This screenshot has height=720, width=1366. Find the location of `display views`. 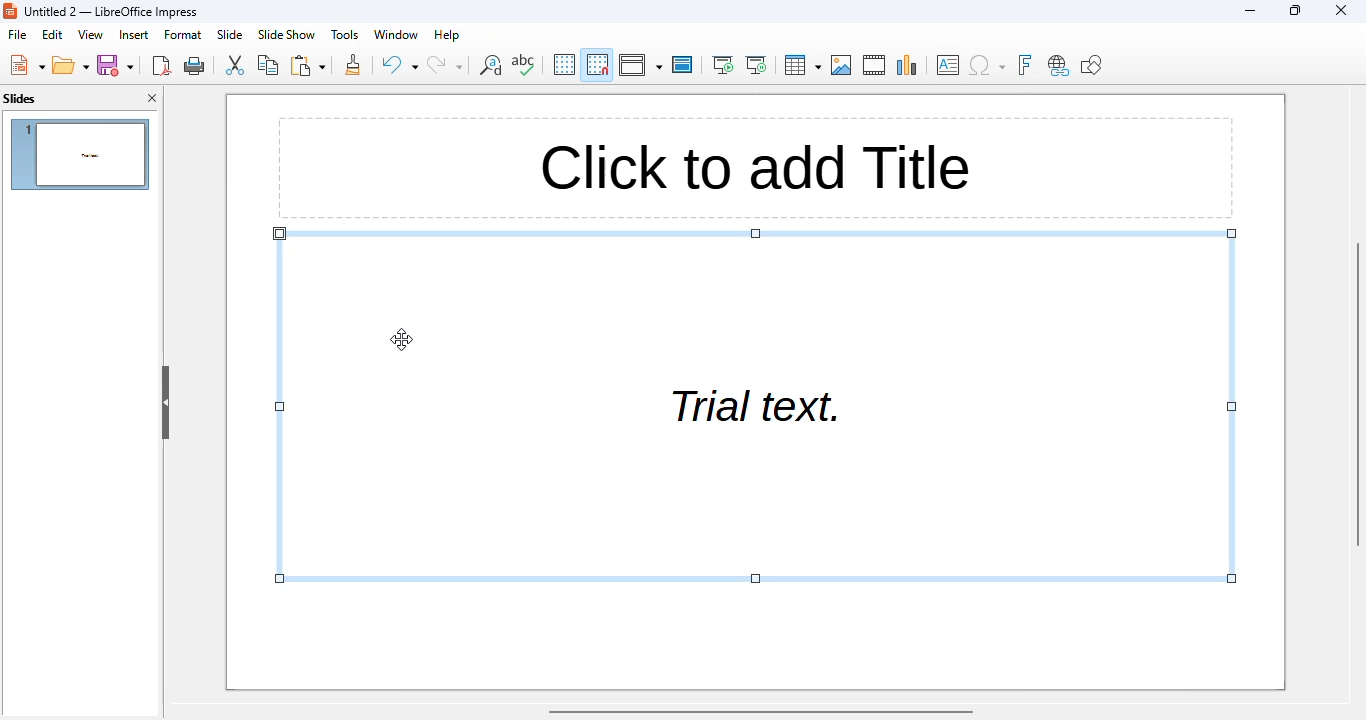

display views is located at coordinates (639, 65).